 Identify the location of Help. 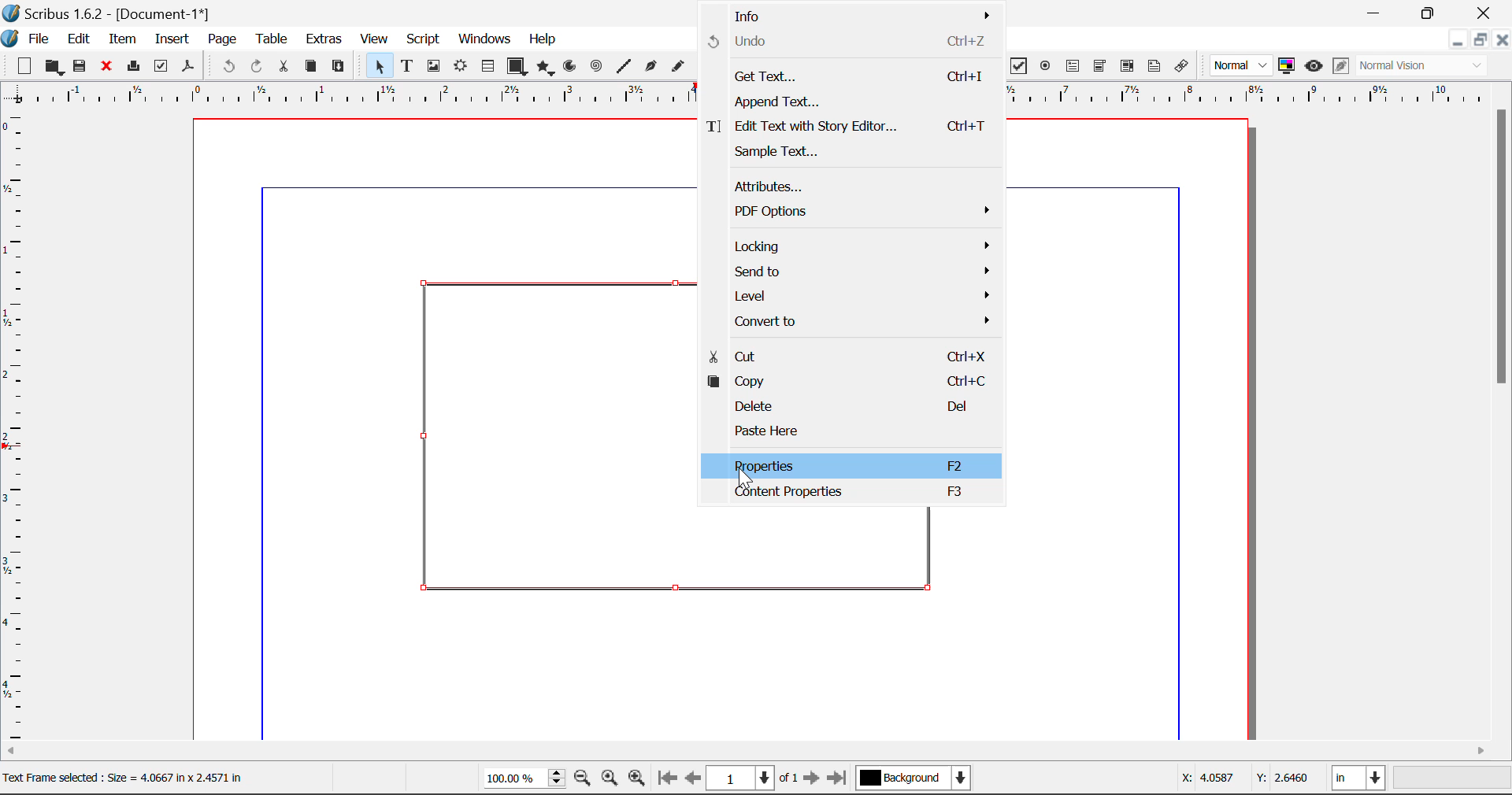
(543, 39).